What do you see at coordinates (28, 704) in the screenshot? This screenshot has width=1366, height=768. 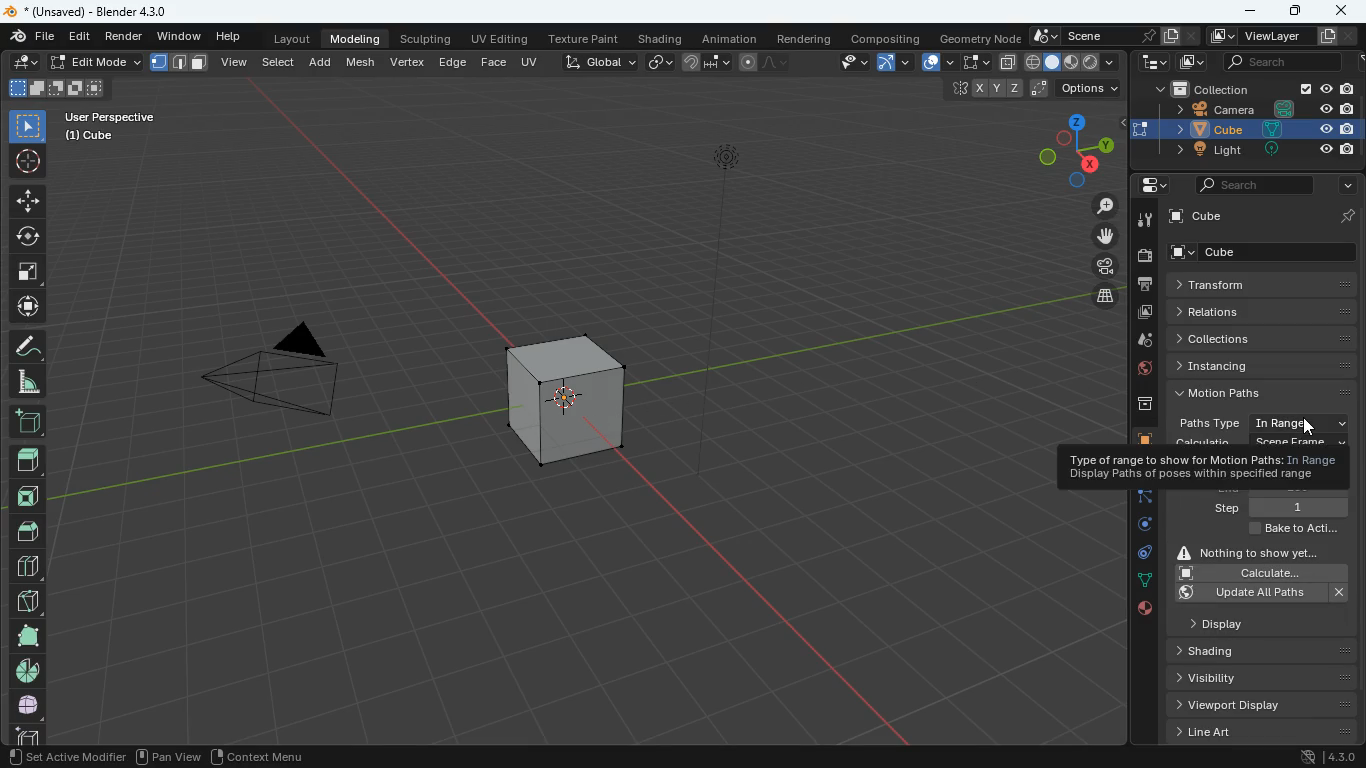 I see `full` at bounding box center [28, 704].